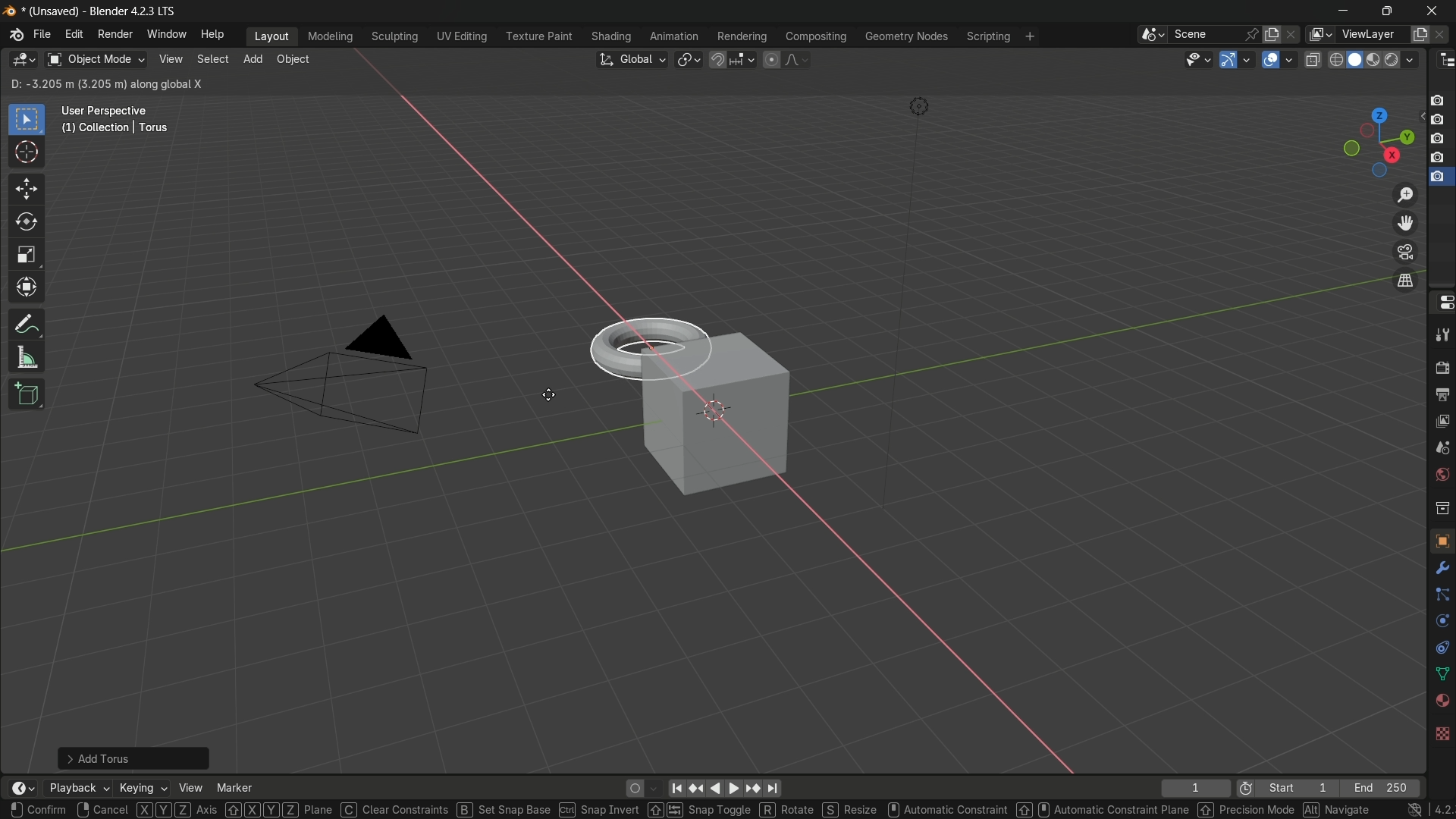  I want to click on world, so click(1439, 475).